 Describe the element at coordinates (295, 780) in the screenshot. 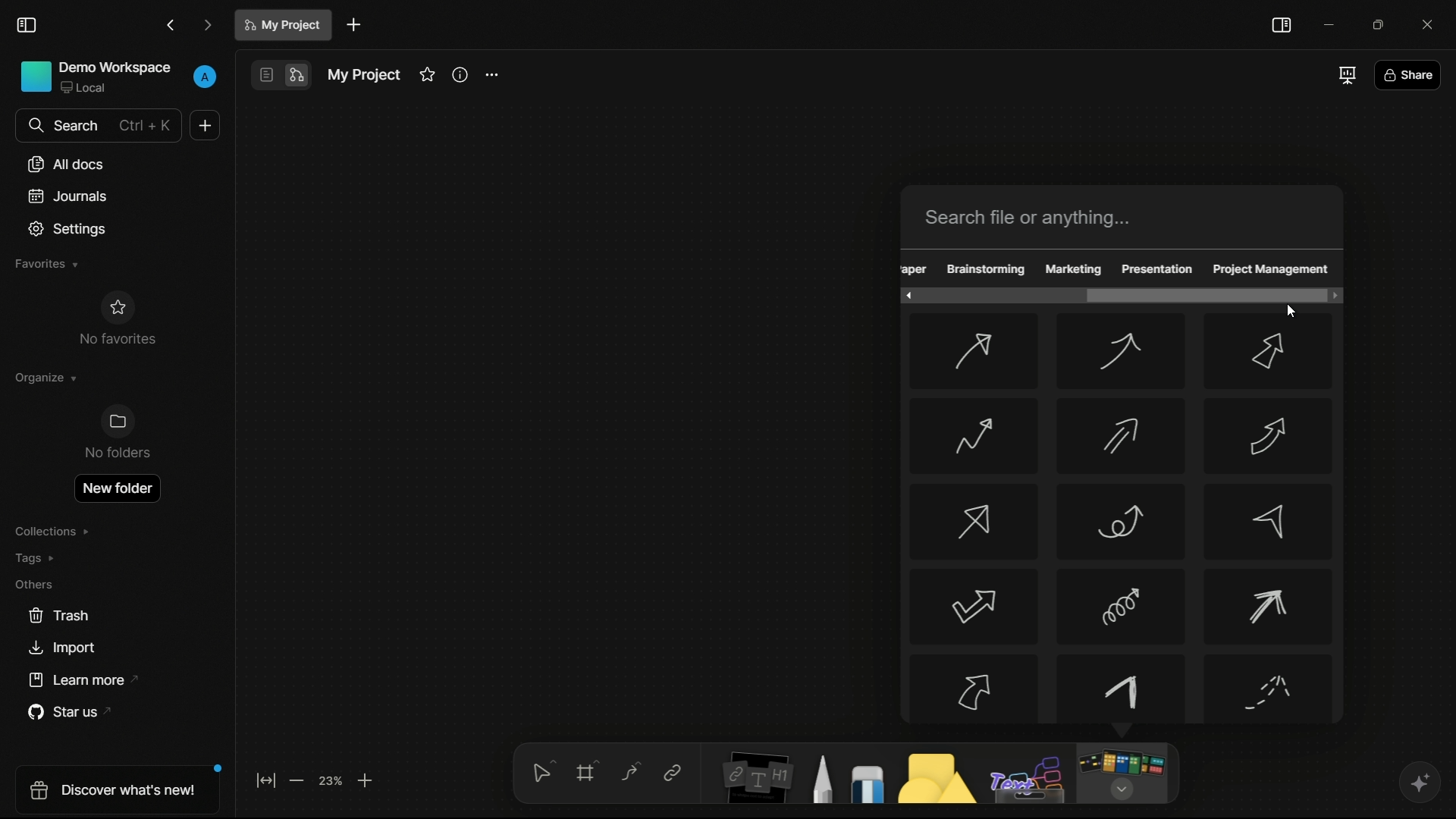

I see `zoom out` at that location.